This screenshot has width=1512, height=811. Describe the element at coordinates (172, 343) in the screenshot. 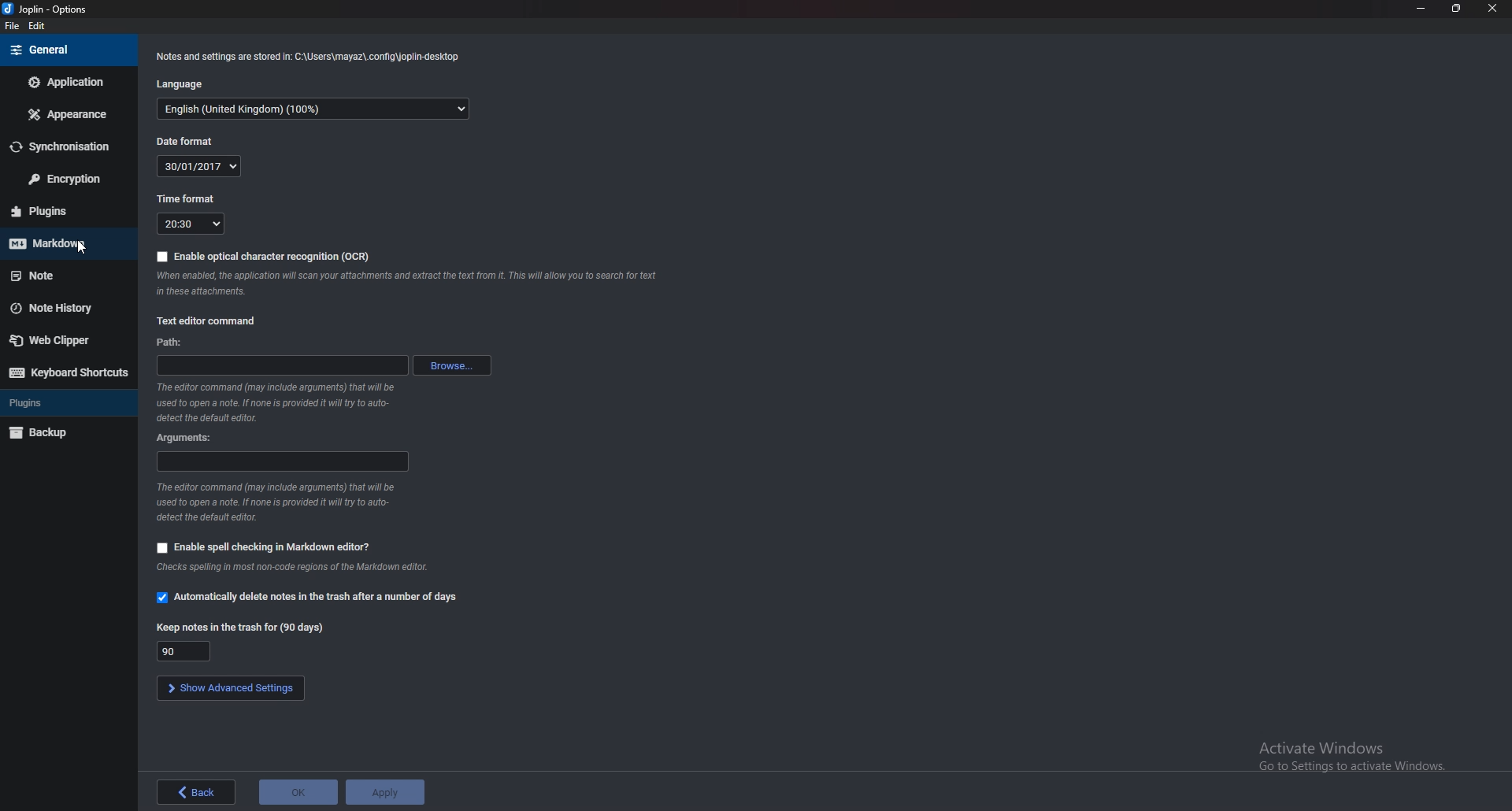

I see `path` at that location.